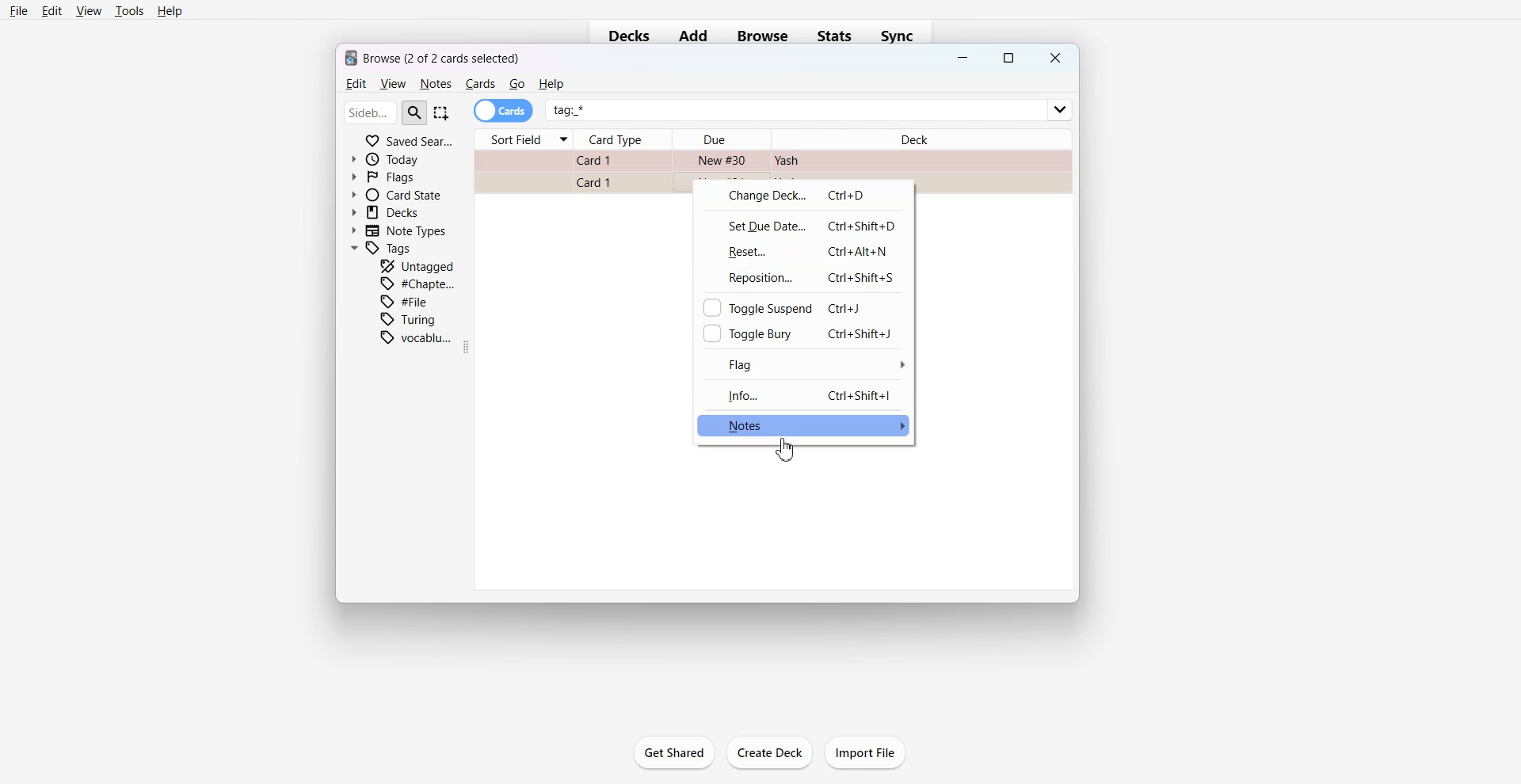  I want to click on Drag Handle, so click(469, 347).